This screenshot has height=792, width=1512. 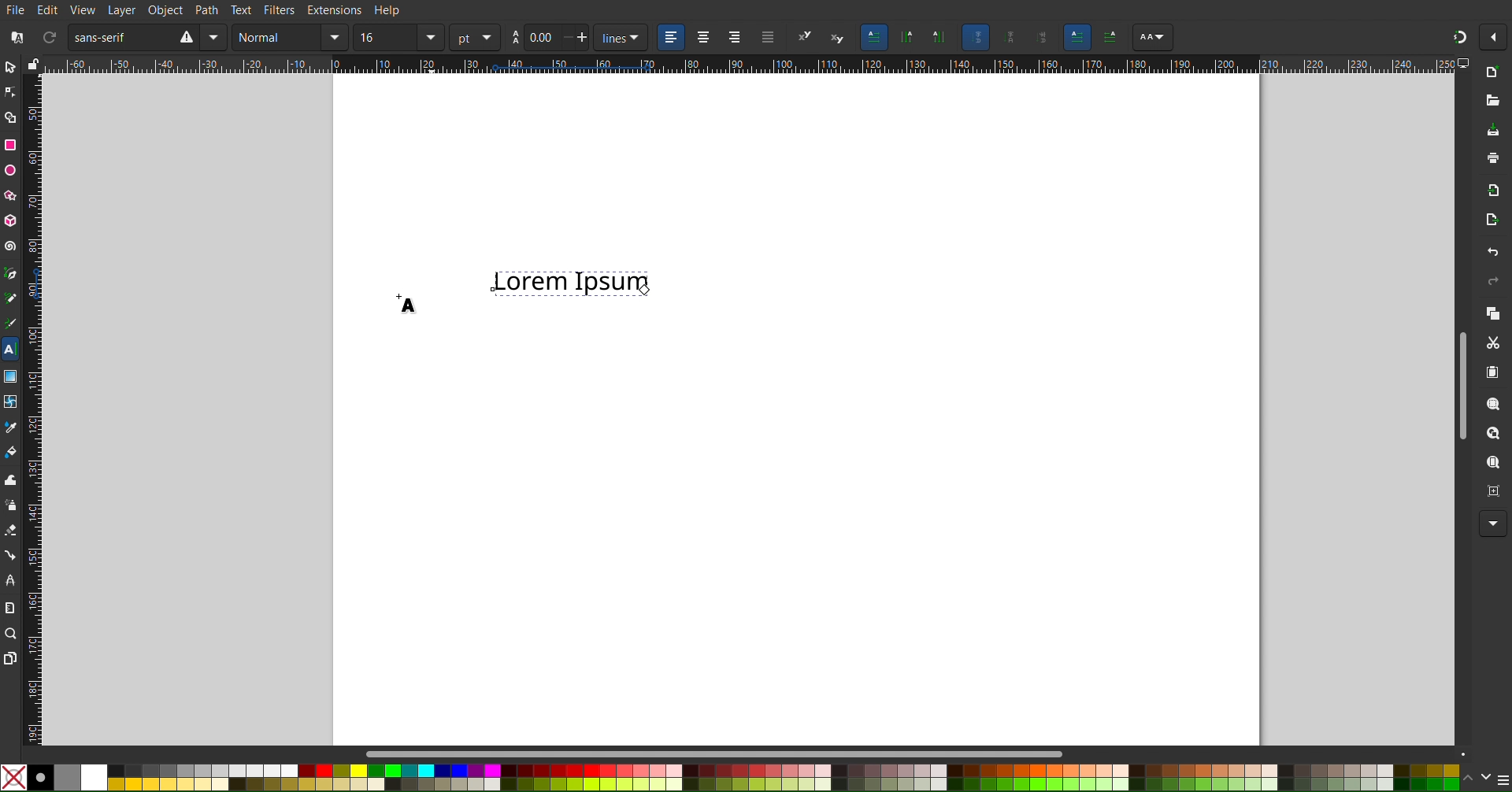 I want to click on Paste, so click(x=1492, y=371).